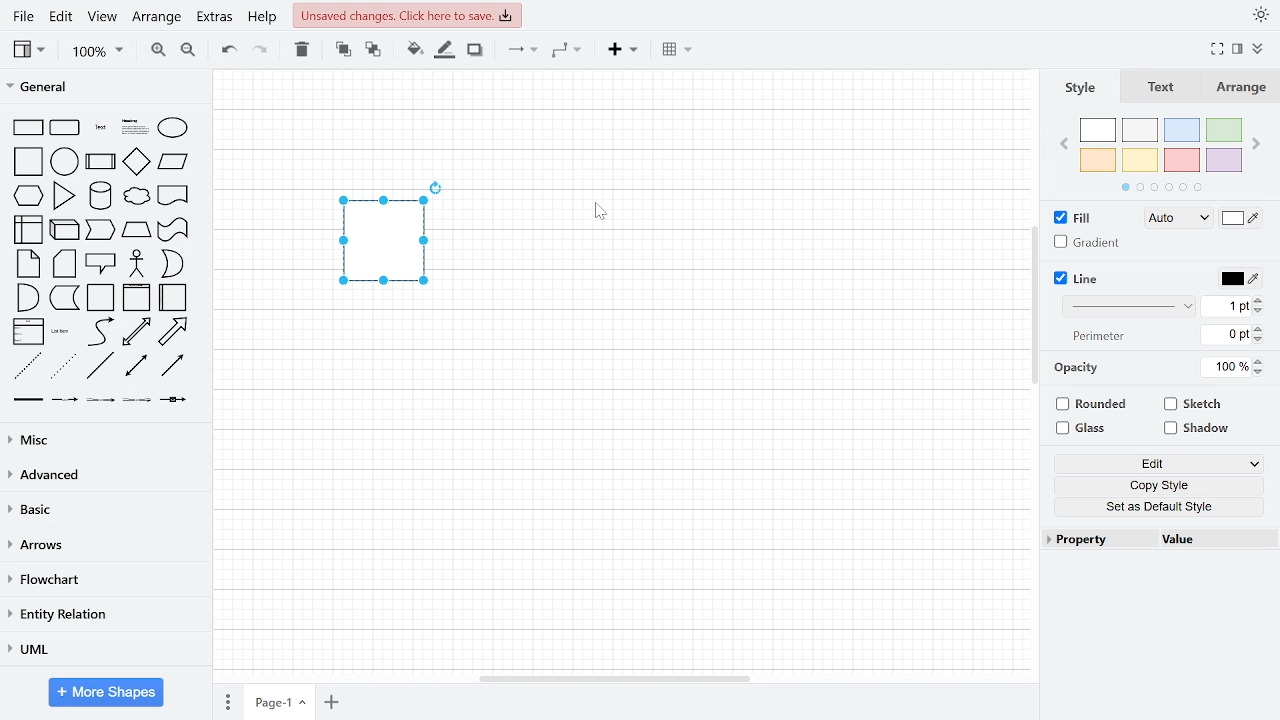  I want to click on data storage, so click(65, 297).